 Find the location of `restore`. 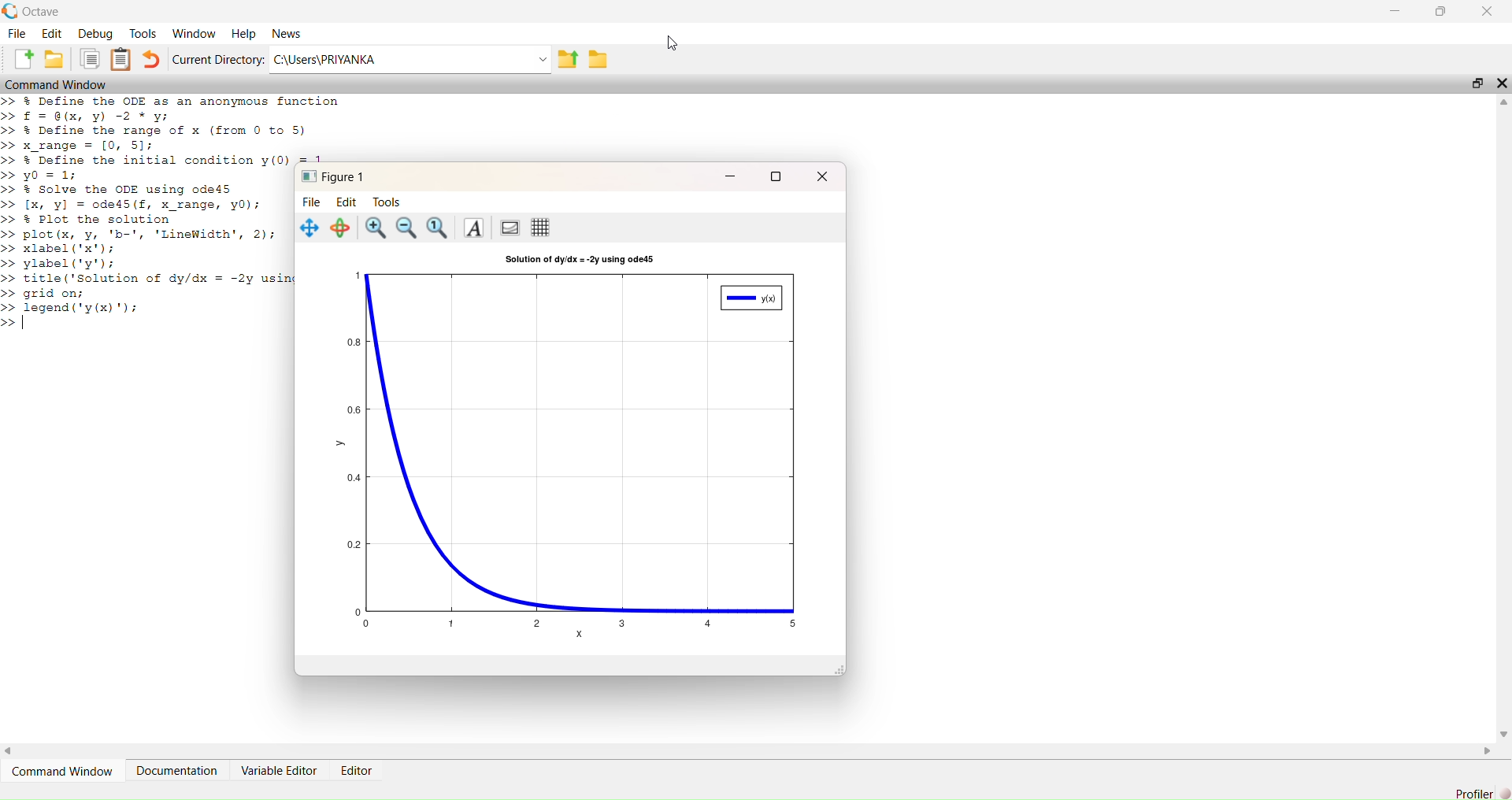

restore is located at coordinates (776, 176).